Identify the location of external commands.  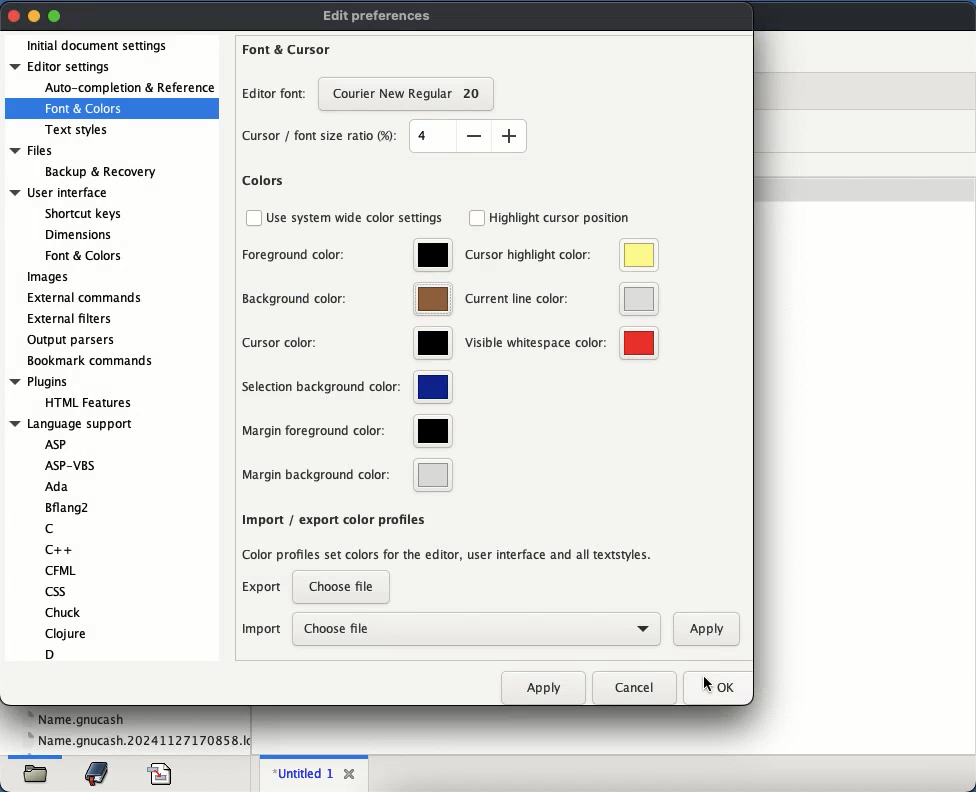
(83, 297).